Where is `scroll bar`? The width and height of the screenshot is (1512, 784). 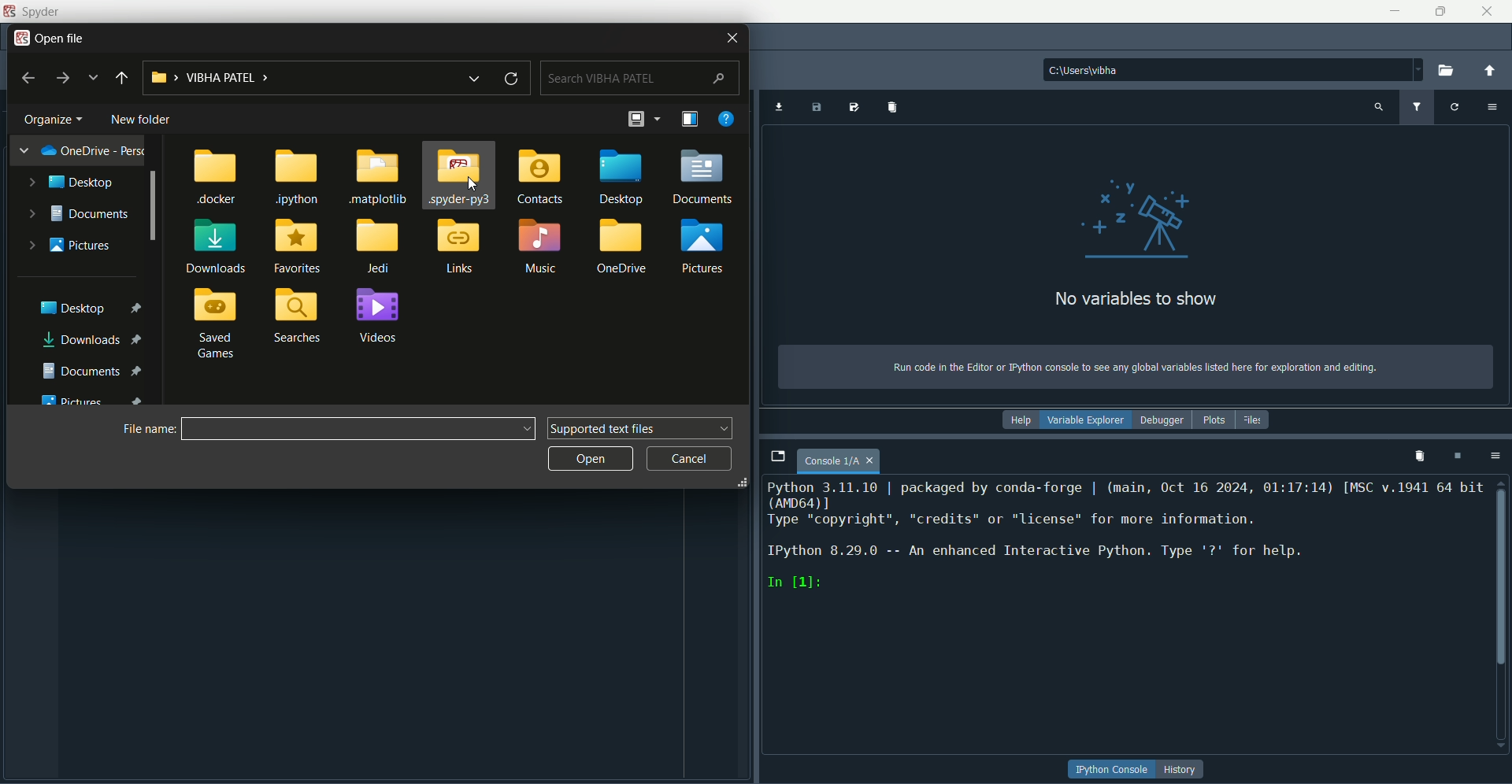 scroll bar is located at coordinates (1503, 573).